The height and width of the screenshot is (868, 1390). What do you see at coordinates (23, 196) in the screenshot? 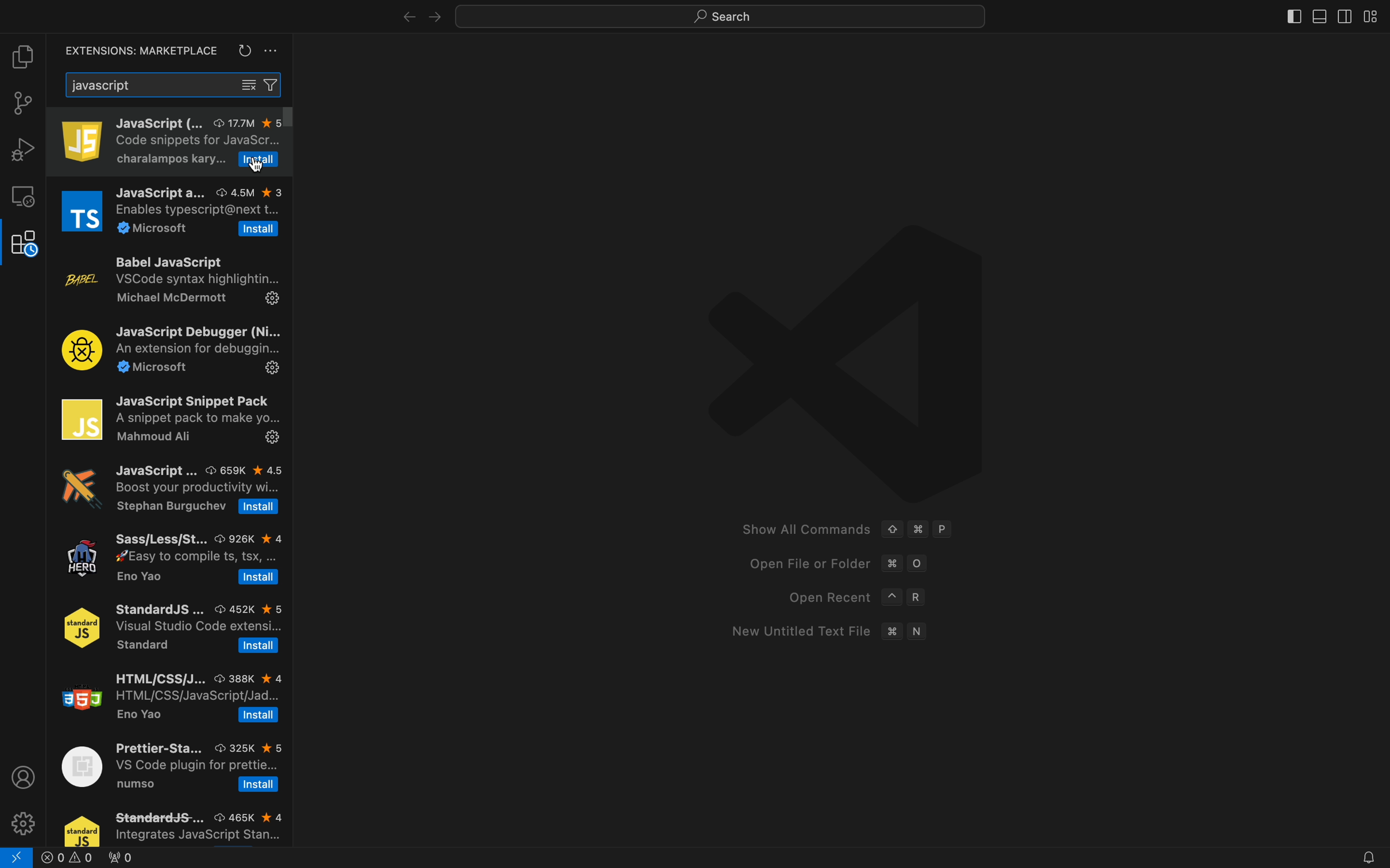
I see `remote explore` at bounding box center [23, 196].